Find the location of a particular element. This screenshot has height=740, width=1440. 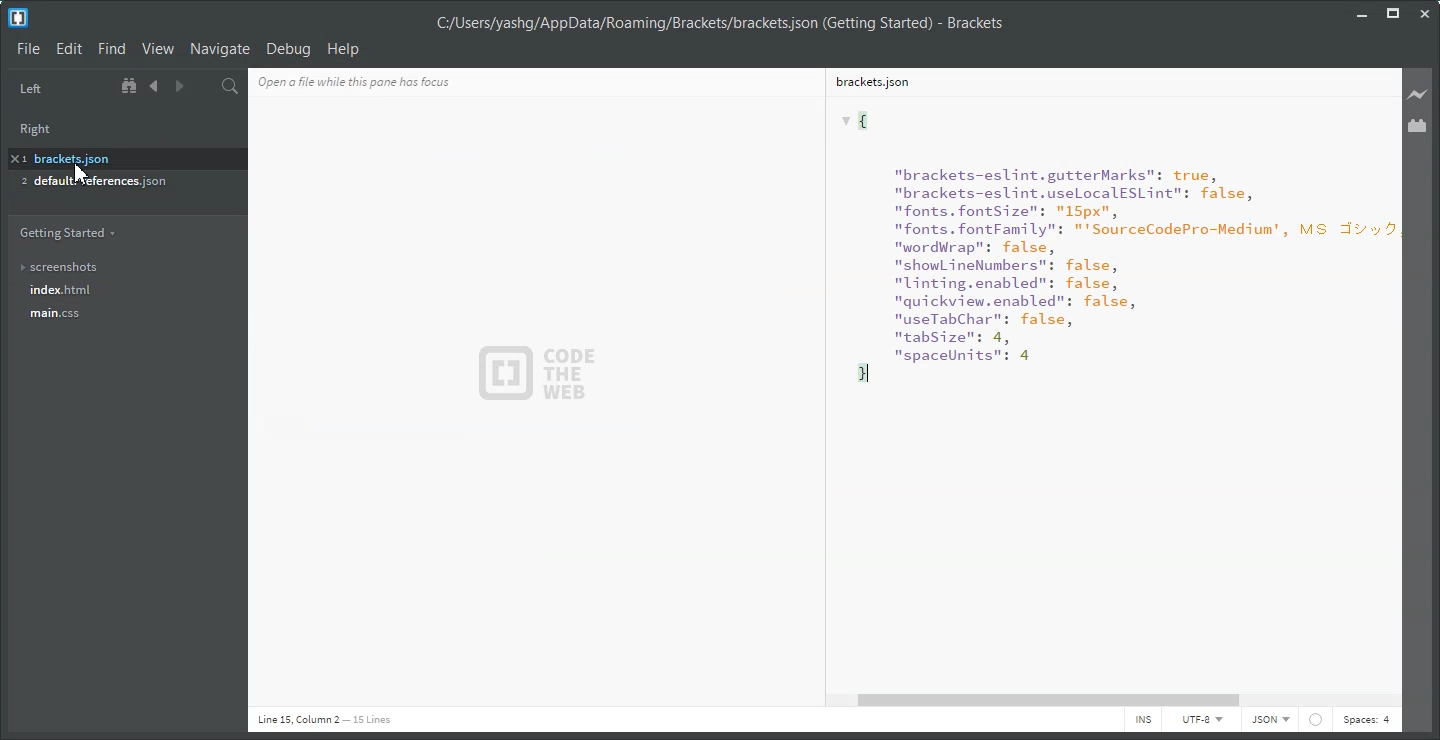

Debug is located at coordinates (288, 49).